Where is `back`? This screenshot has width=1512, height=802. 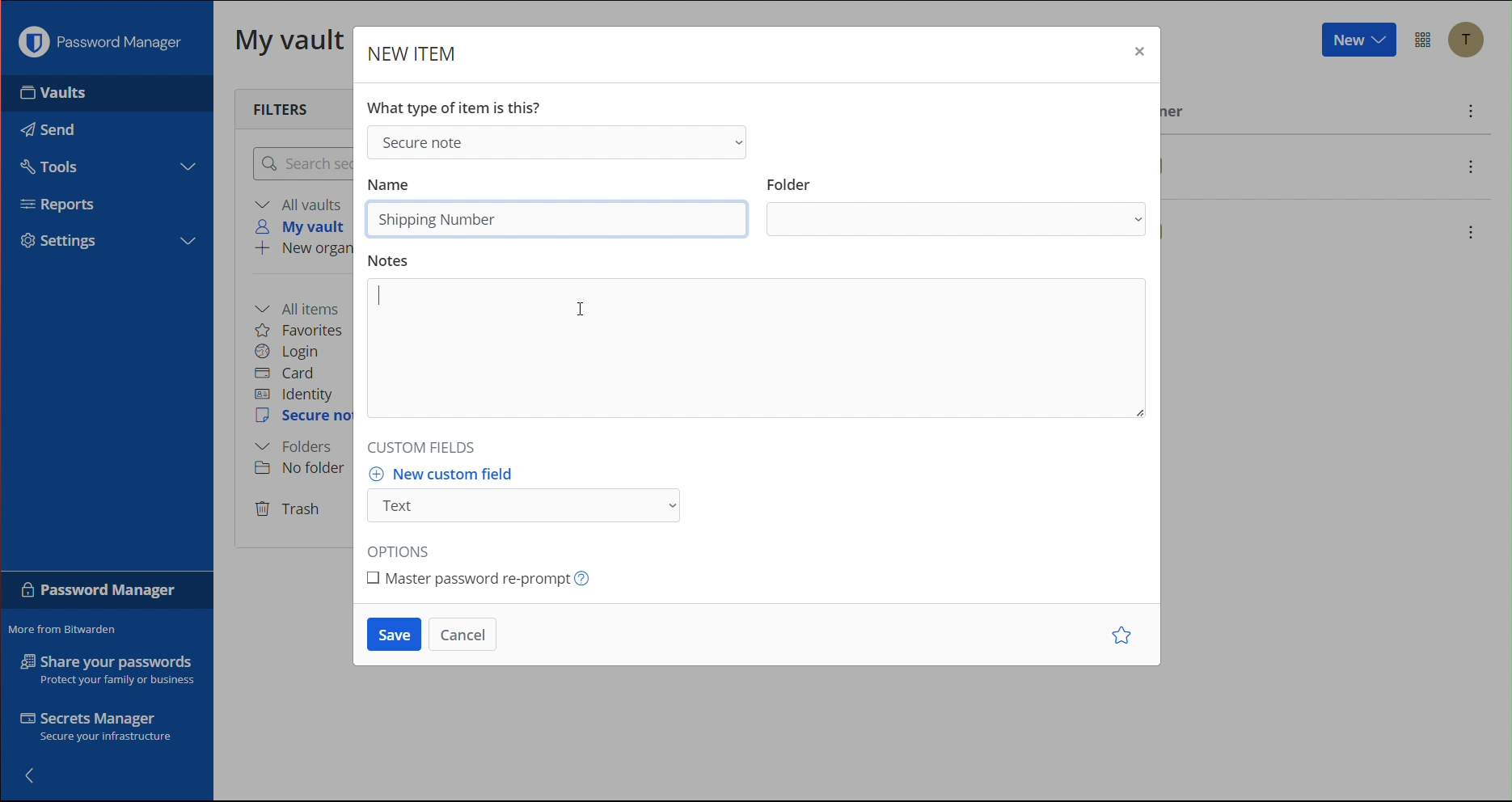 back is located at coordinates (41, 776).